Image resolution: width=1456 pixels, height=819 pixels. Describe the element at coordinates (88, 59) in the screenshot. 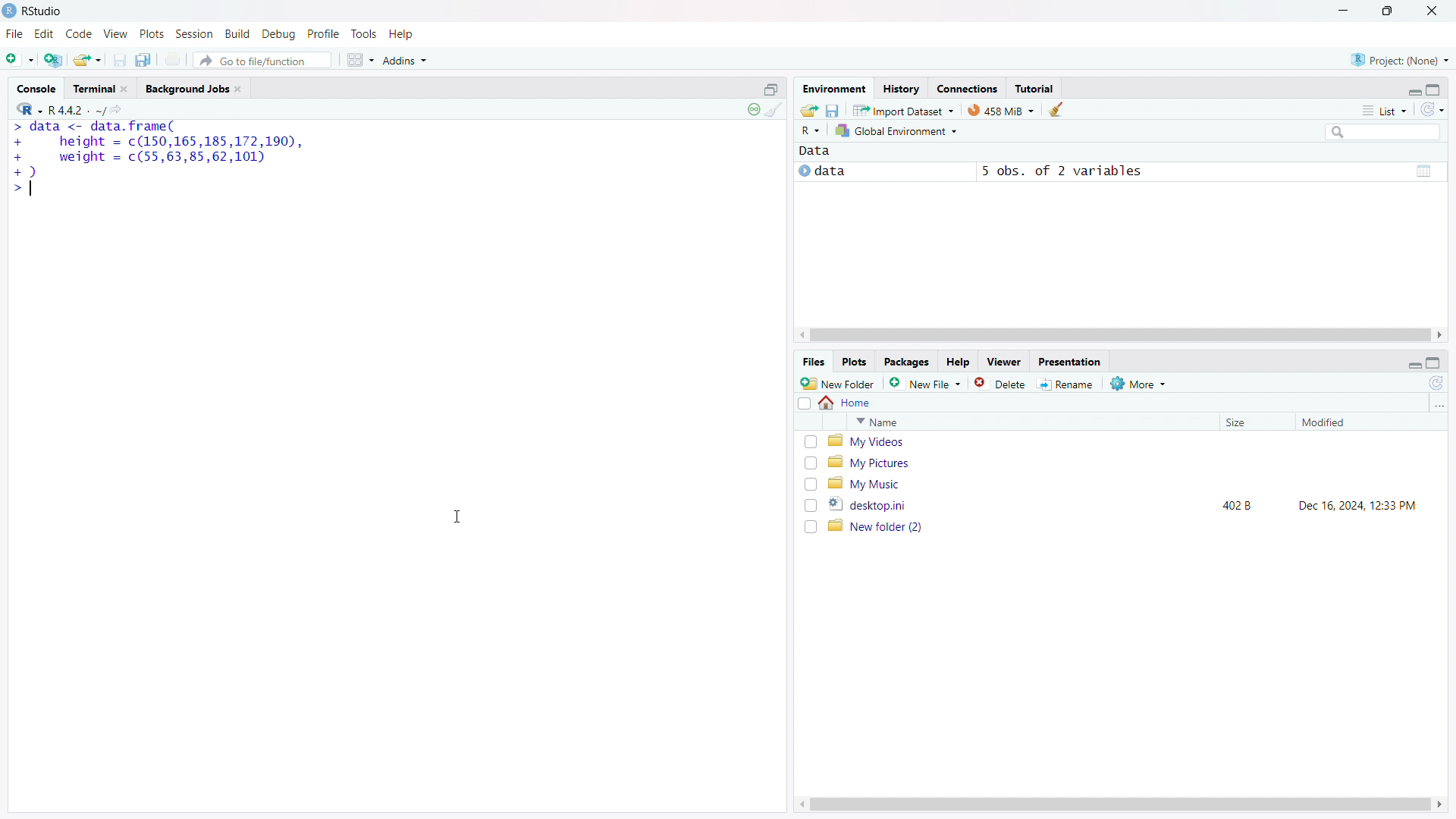

I see `open an existing file` at that location.